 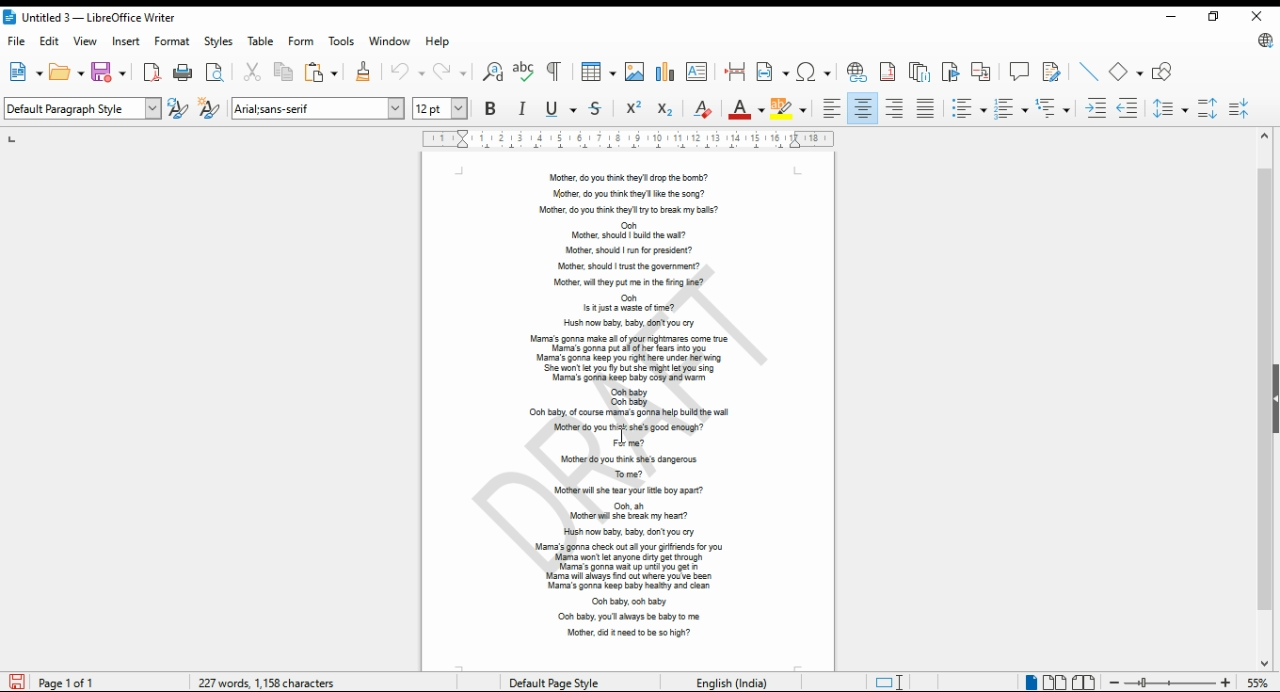 What do you see at coordinates (364, 72) in the screenshot?
I see `clone formatting` at bounding box center [364, 72].